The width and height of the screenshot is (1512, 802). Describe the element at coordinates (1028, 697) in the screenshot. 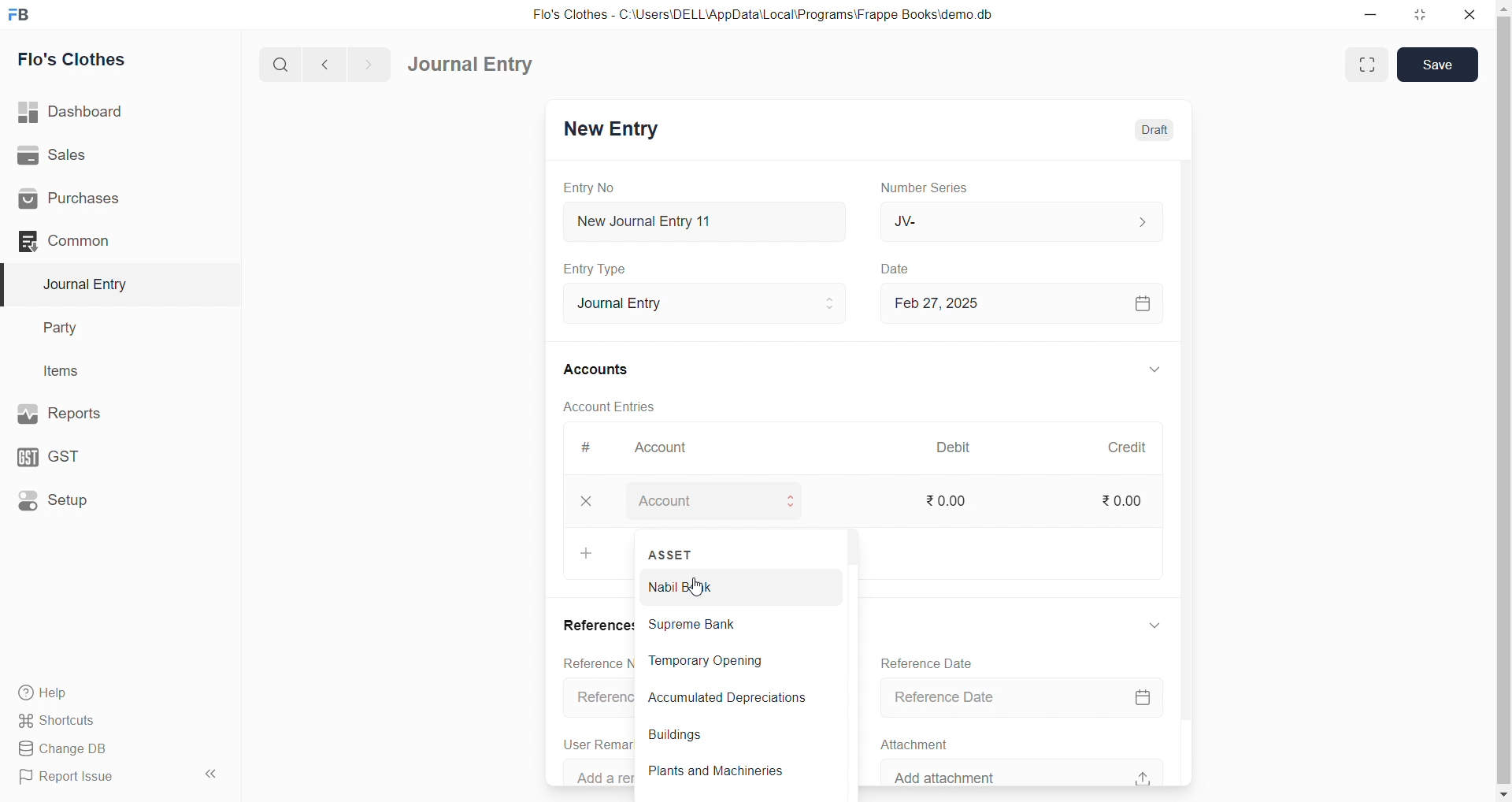

I see `Reference Date` at that location.